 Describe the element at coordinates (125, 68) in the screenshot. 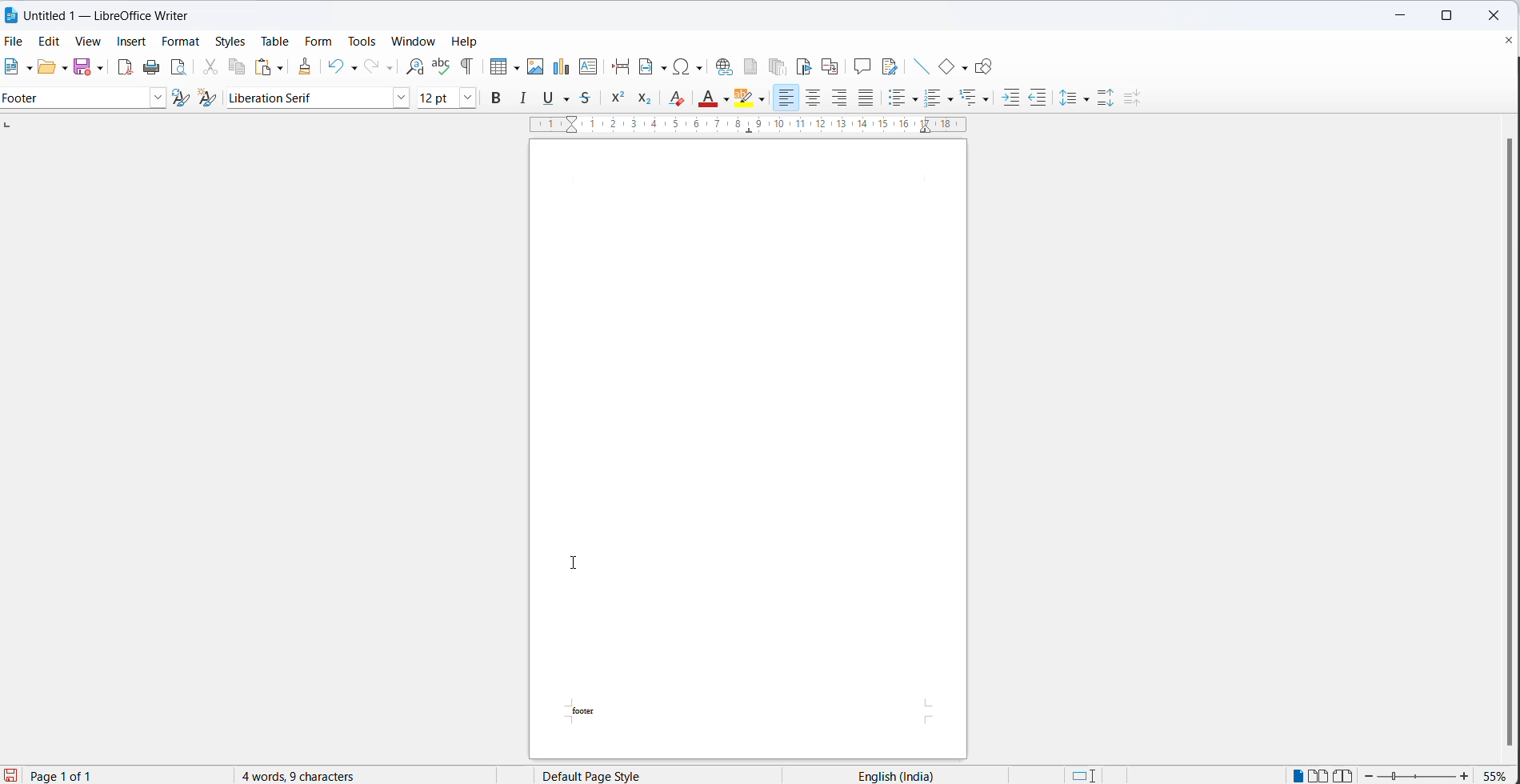

I see `export as pdf` at that location.